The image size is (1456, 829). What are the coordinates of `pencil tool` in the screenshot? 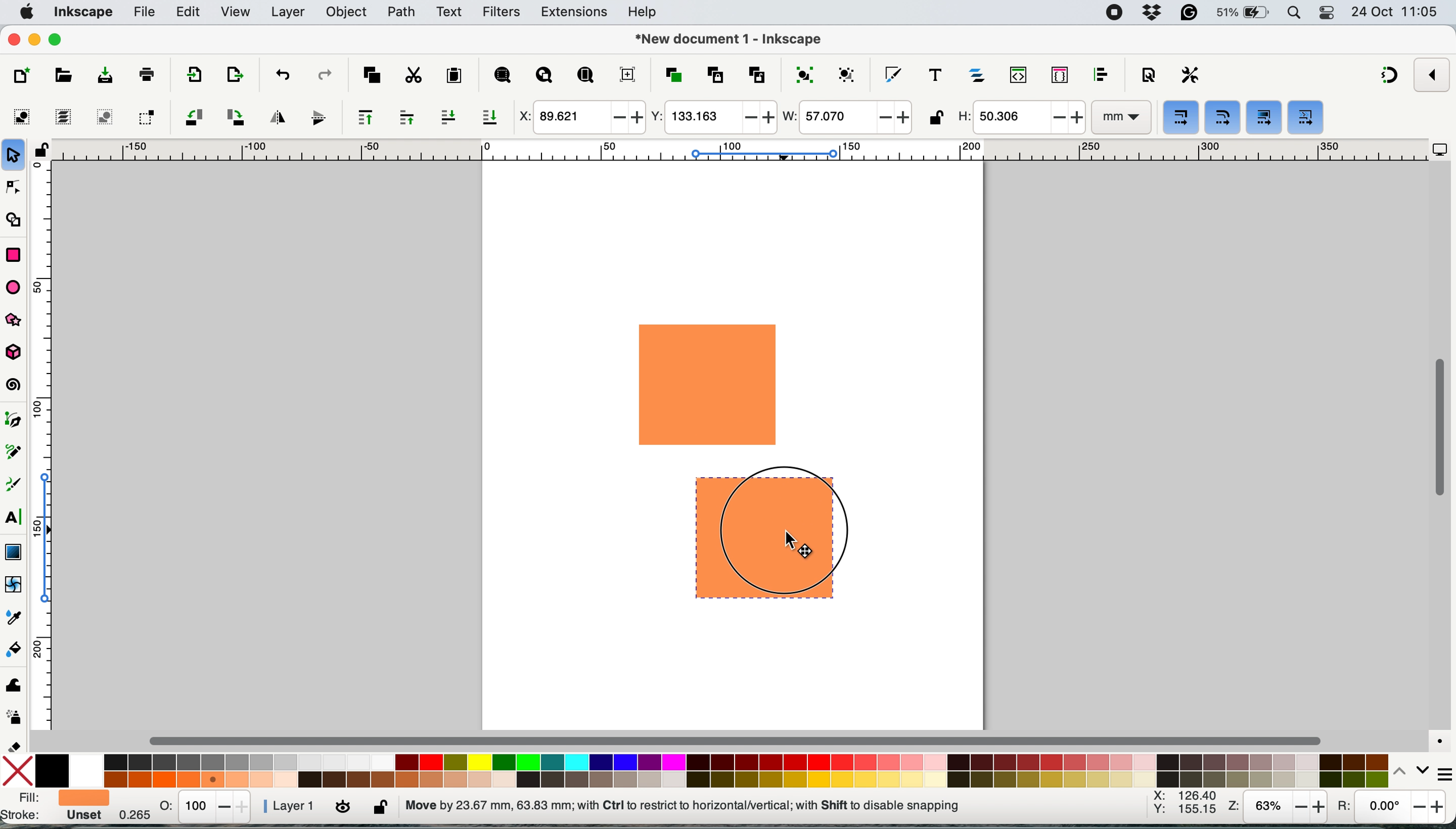 It's located at (18, 455).